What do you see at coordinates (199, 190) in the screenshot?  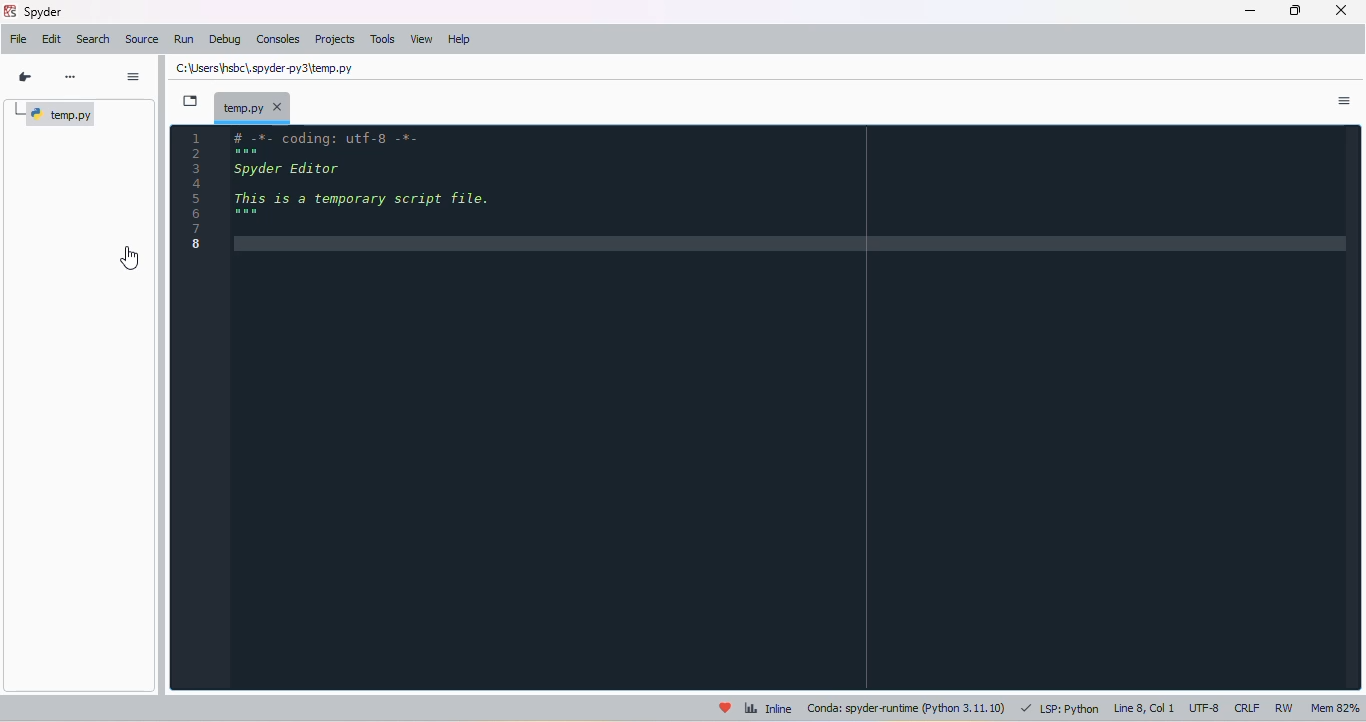 I see `line numbers` at bounding box center [199, 190].